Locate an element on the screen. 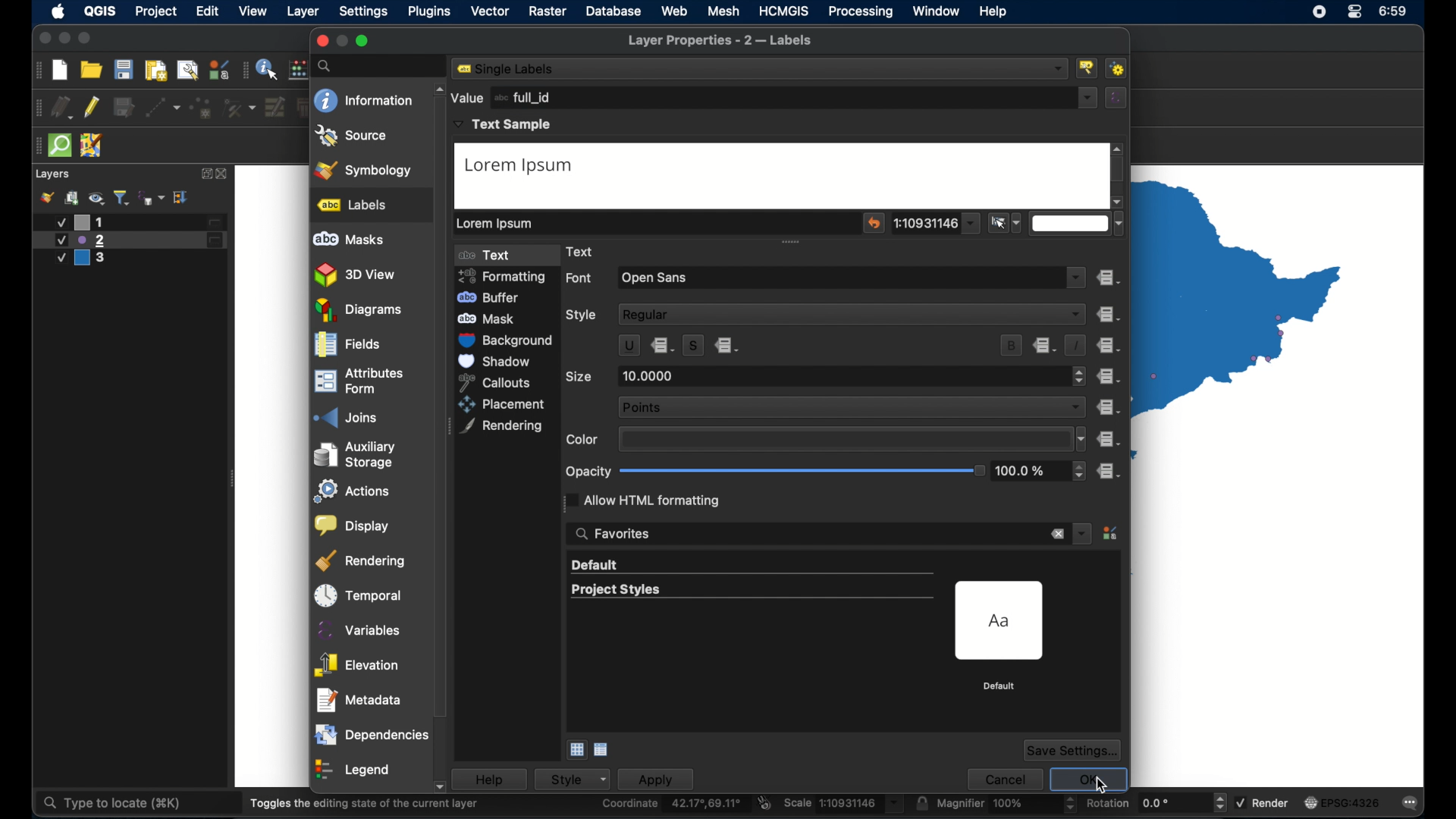 The height and width of the screenshot is (819, 1456). configure project labelling tools is located at coordinates (1088, 67).